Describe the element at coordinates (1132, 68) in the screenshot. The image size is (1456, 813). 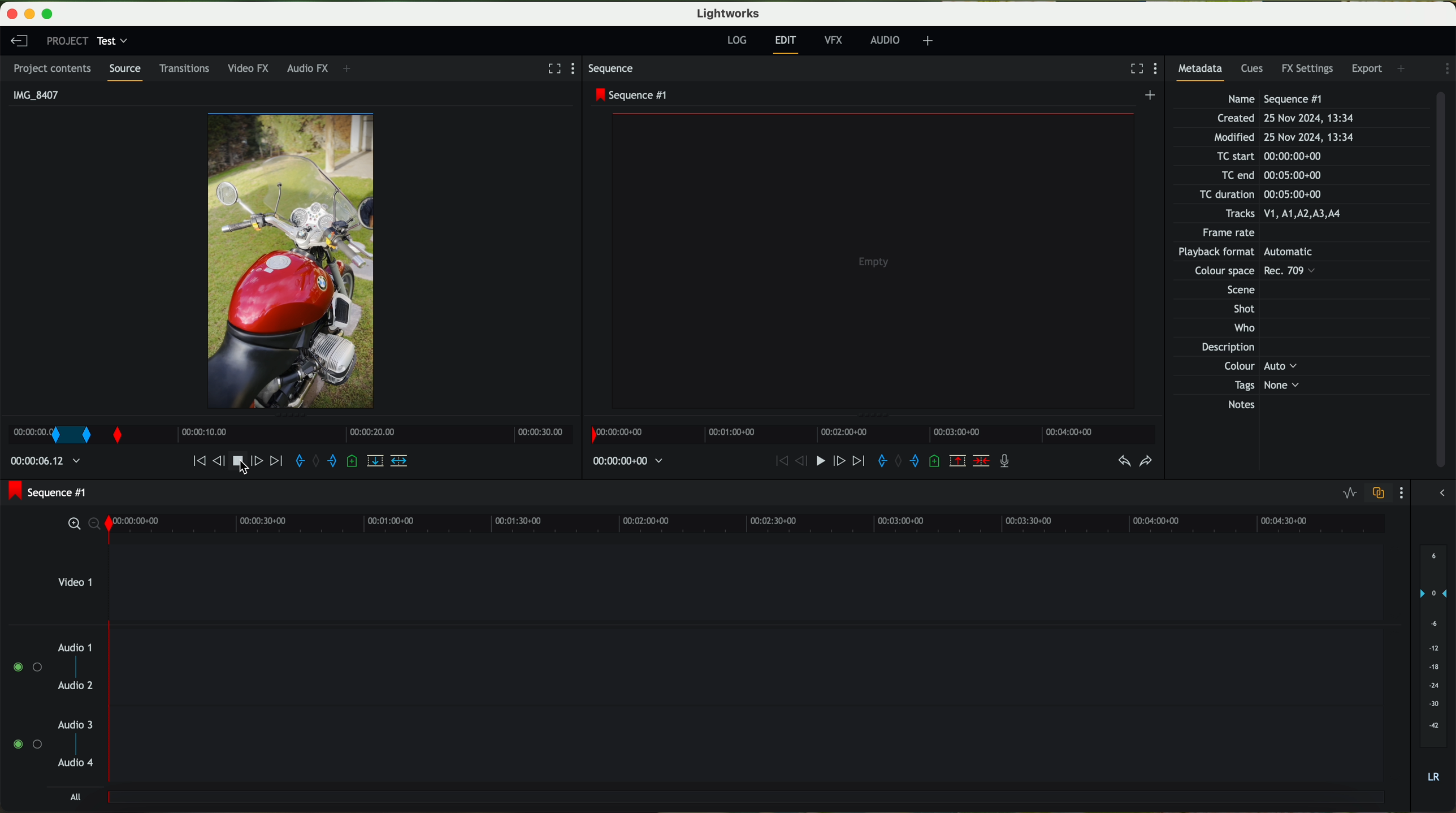
I see `fullscreen` at that location.